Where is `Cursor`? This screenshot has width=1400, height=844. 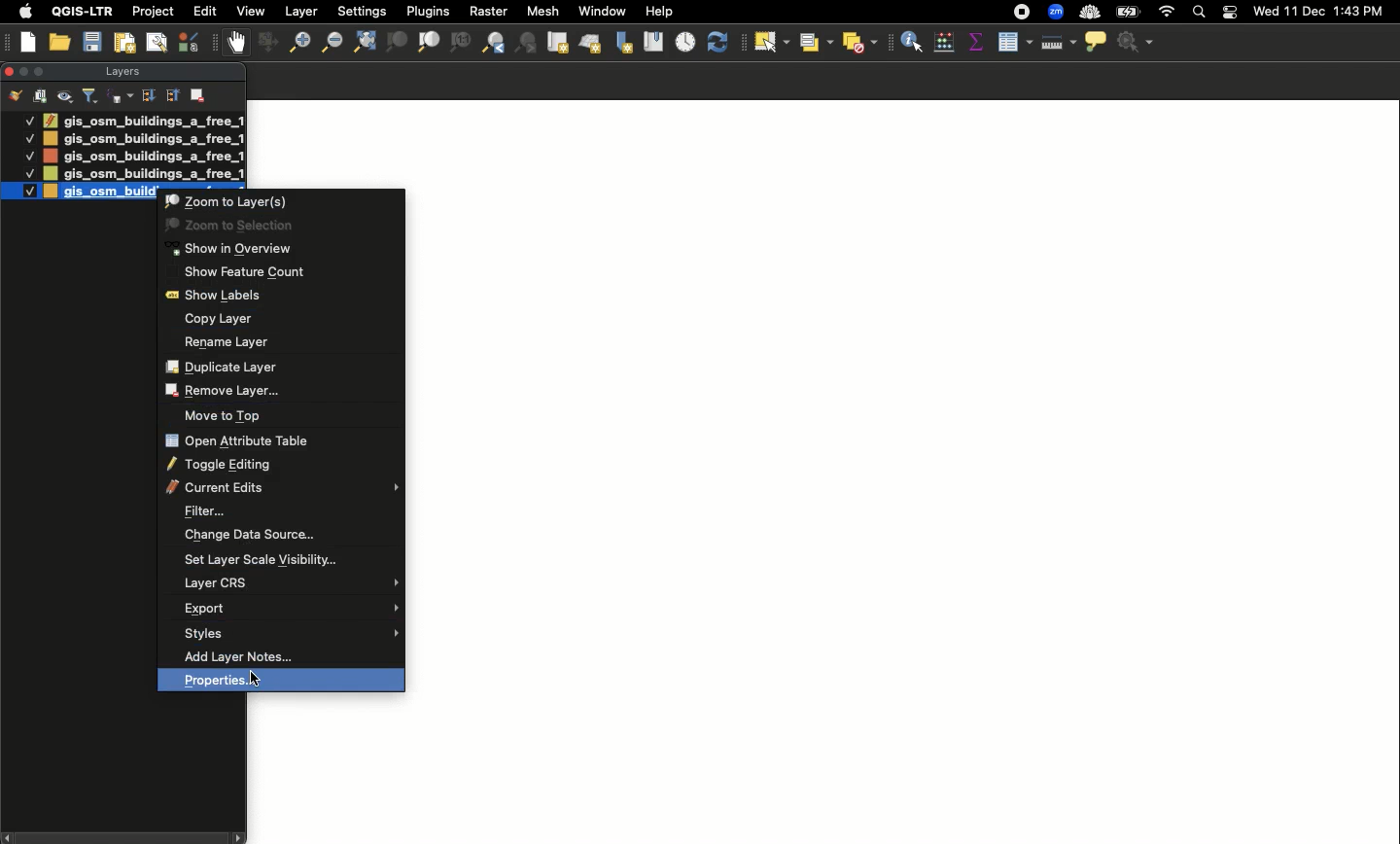
Cursor is located at coordinates (255, 681).